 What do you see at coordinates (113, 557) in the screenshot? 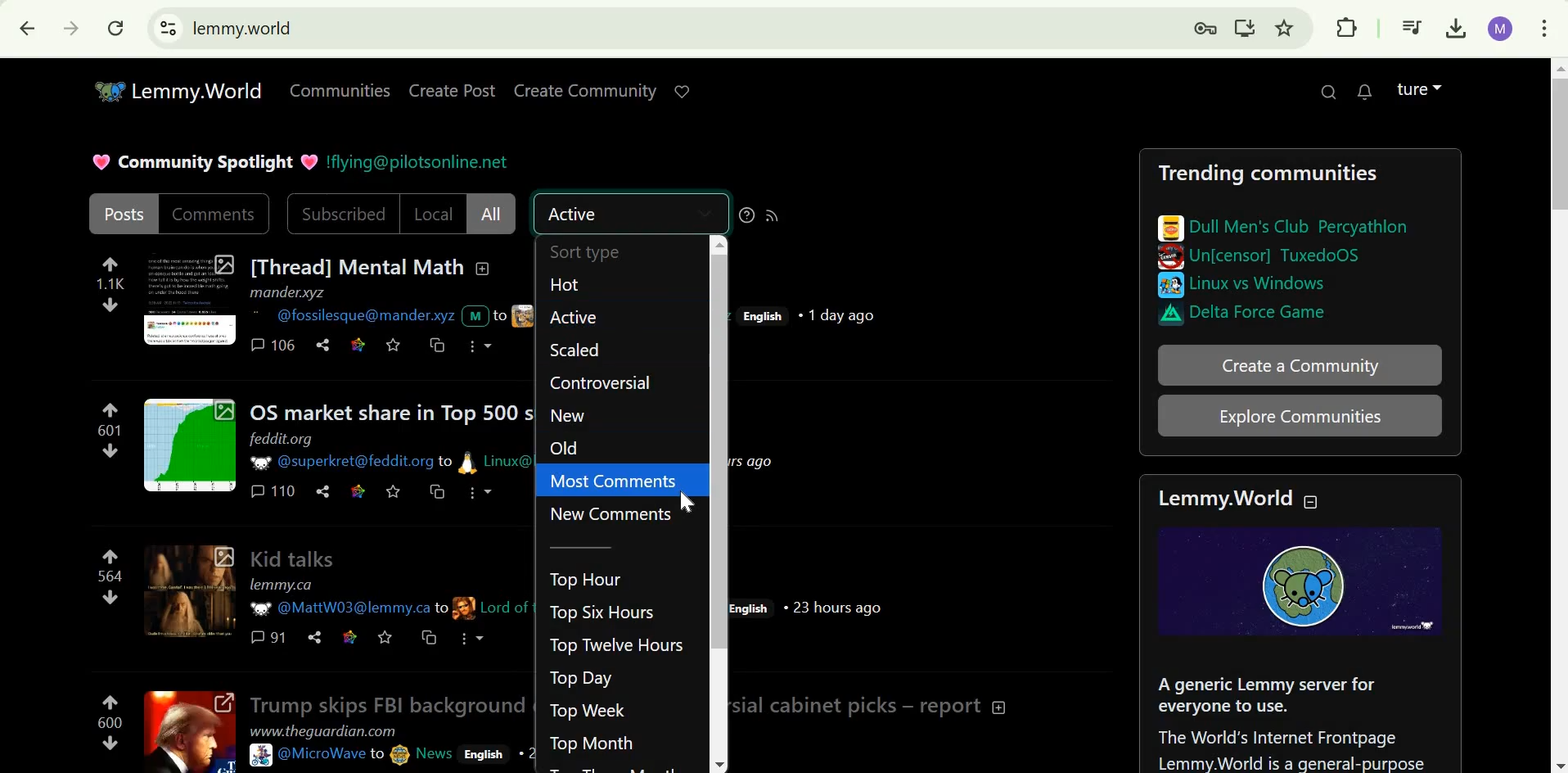
I see `upvote` at bounding box center [113, 557].